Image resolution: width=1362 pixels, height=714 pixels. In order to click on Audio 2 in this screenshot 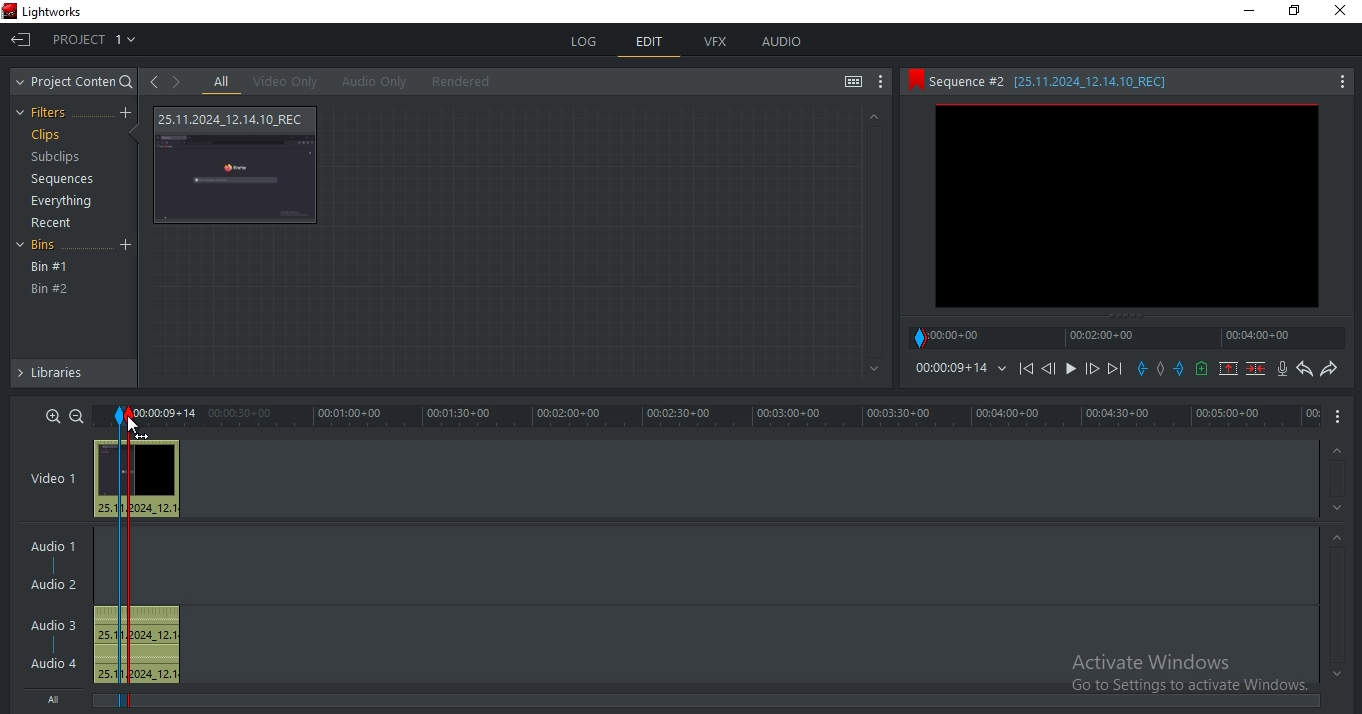, I will do `click(61, 585)`.